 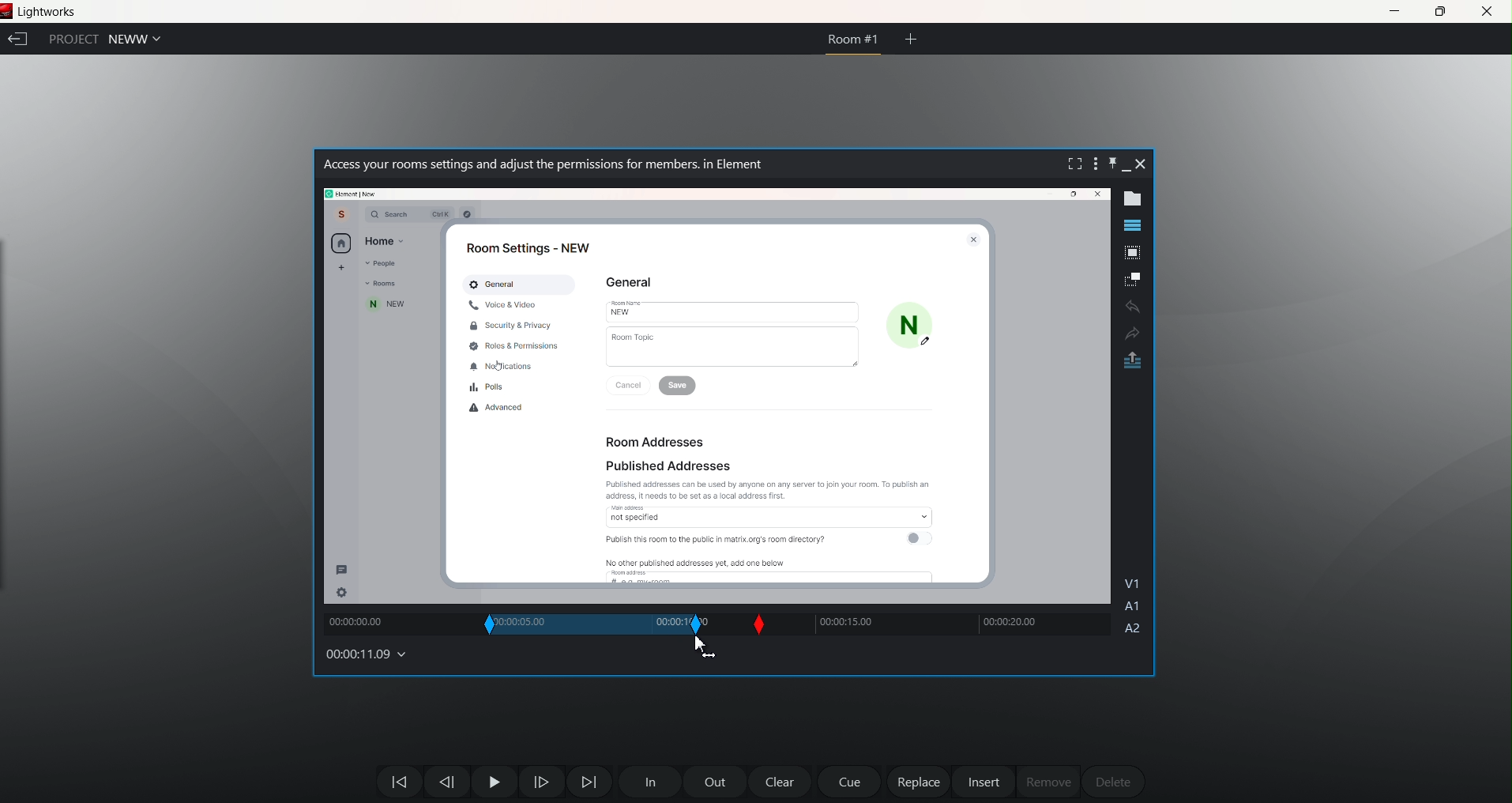 What do you see at coordinates (1133, 630) in the screenshot?
I see `A2` at bounding box center [1133, 630].